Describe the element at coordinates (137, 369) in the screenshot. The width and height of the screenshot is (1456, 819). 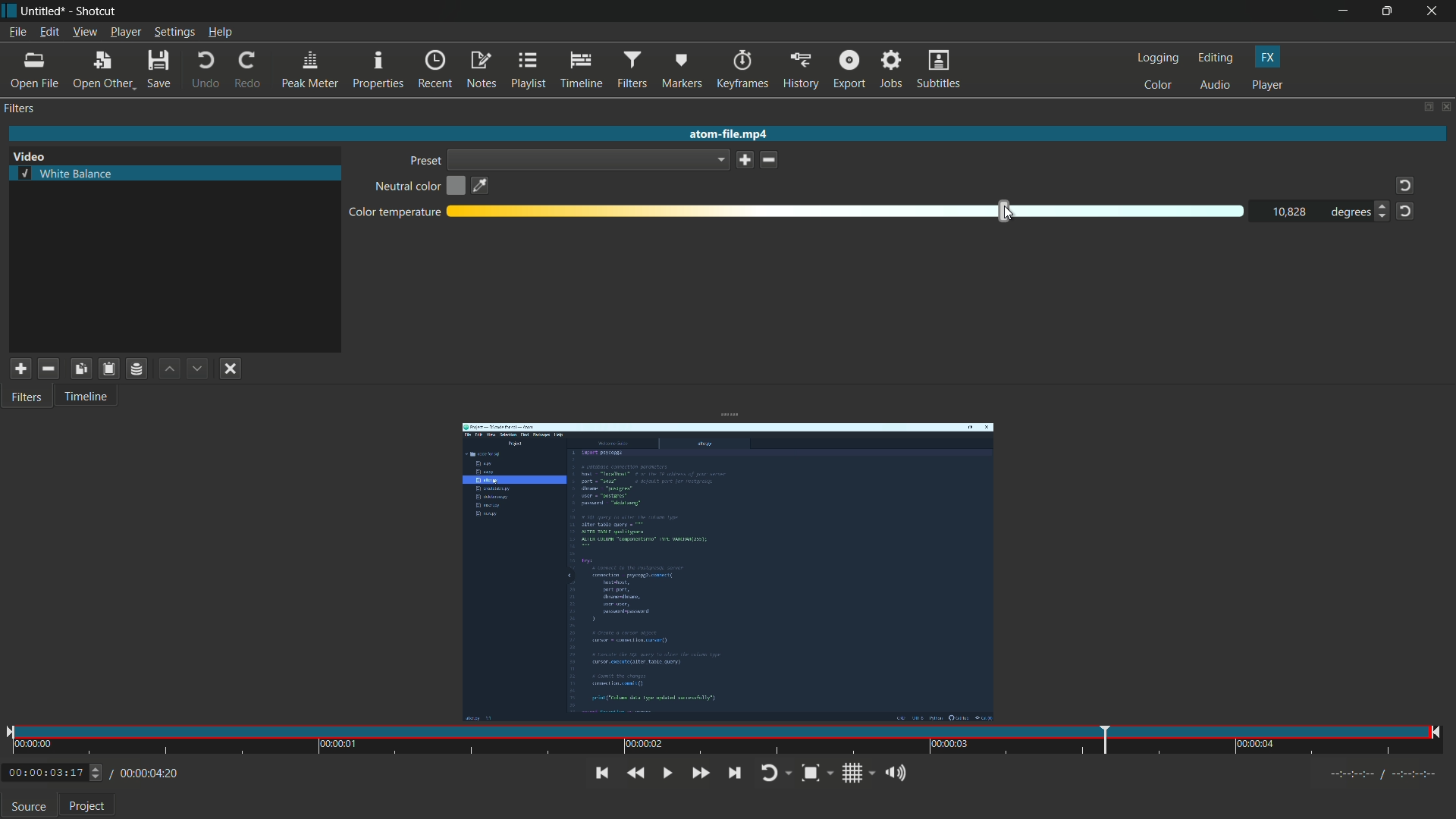
I see `save filter set` at that location.